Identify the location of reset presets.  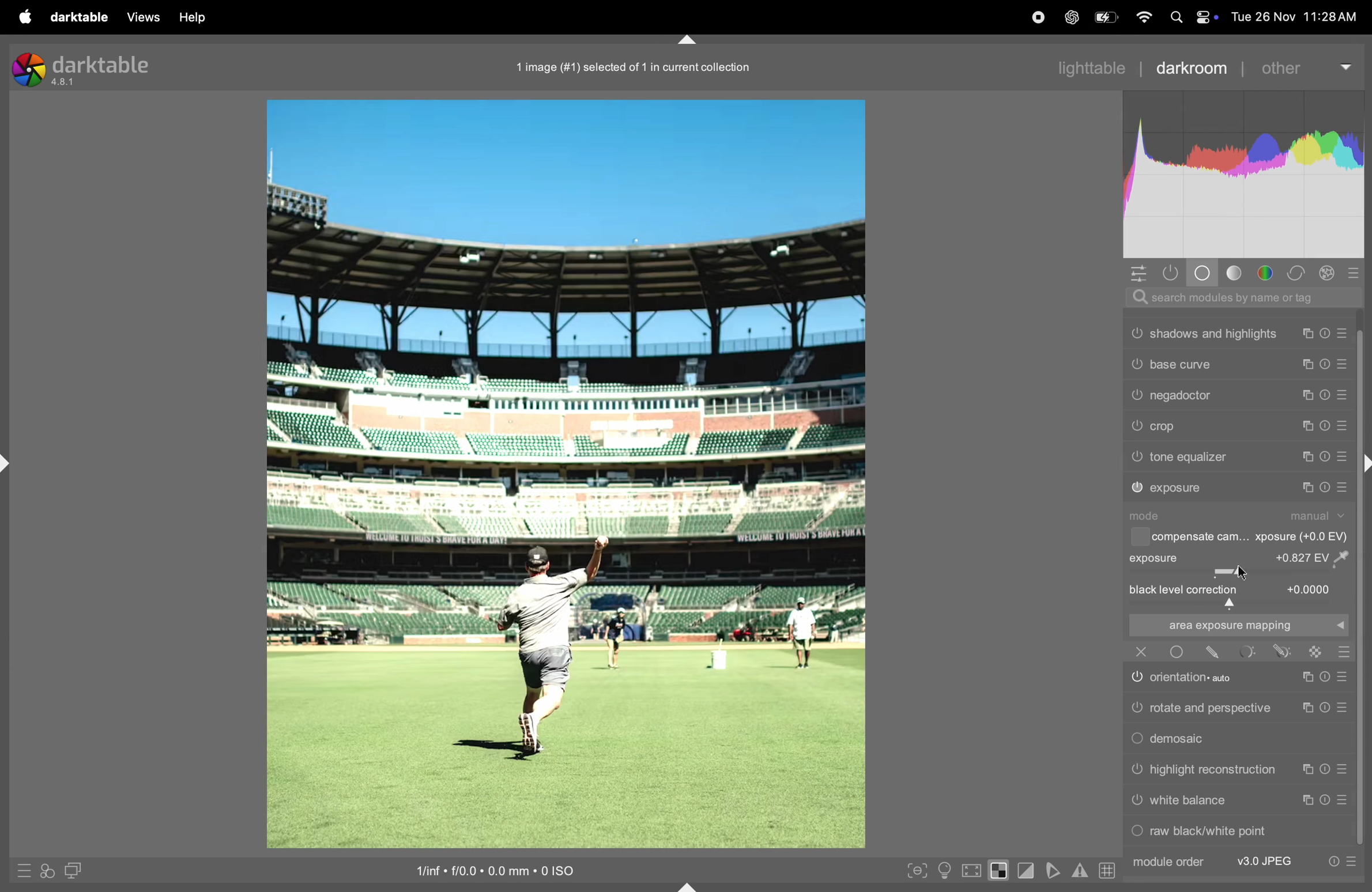
(1327, 425).